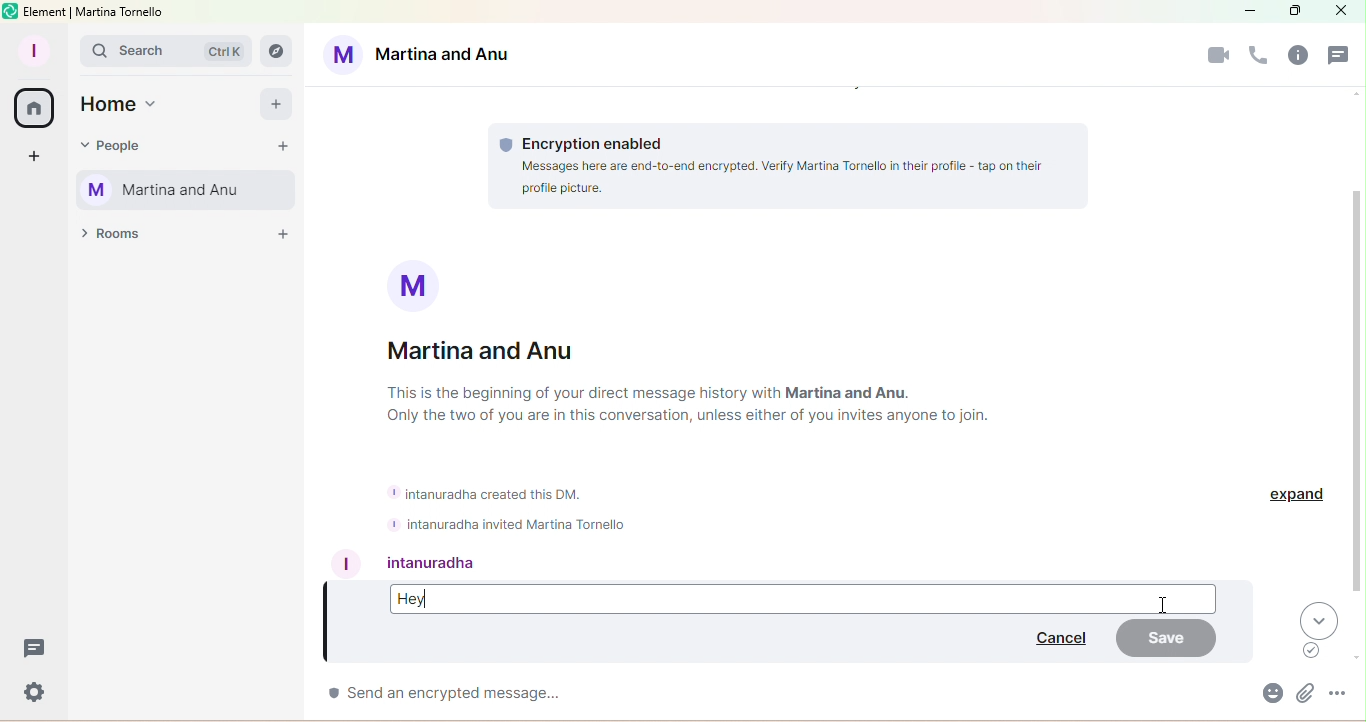 The width and height of the screenshot is (1366, 722). I want to click on Profile picture, so click(417, 284).